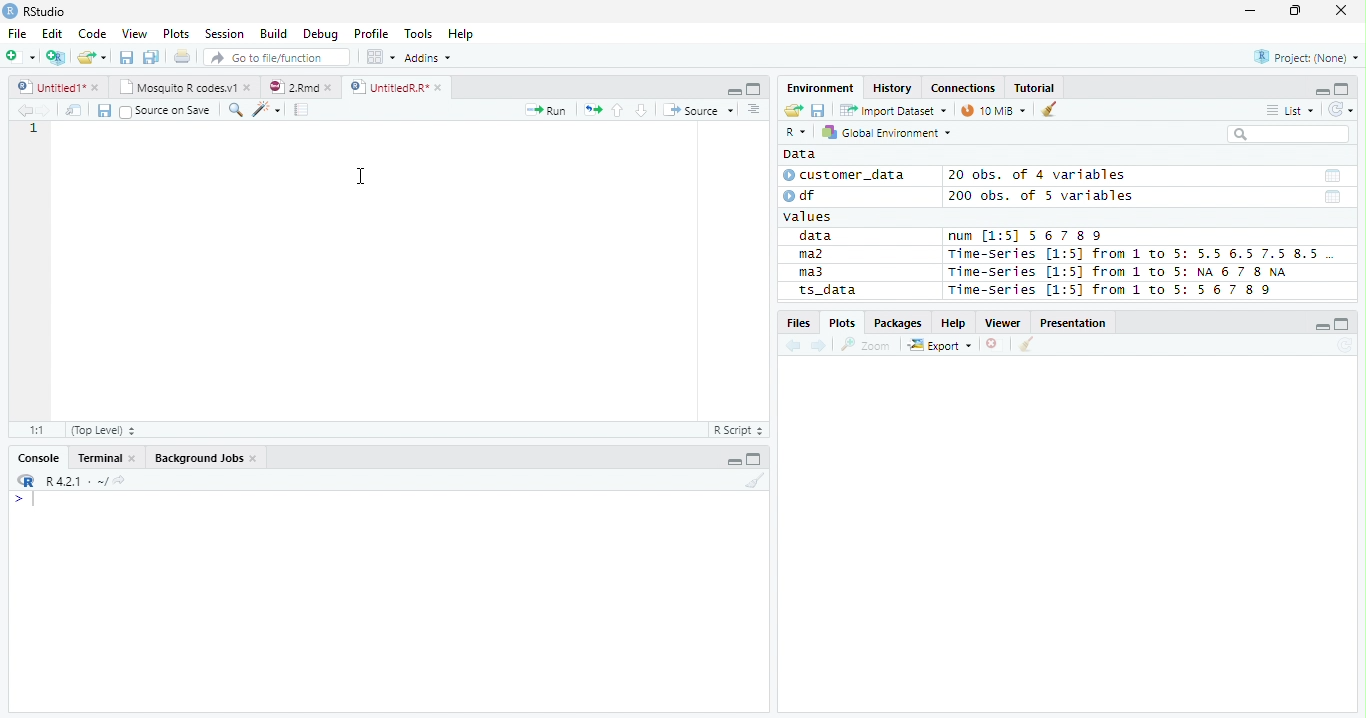 The image size is (1366, 718). What do you see at coordinates (592, 111) in the screenshot?
I see `Re-run` at bounding box center [592, 111].